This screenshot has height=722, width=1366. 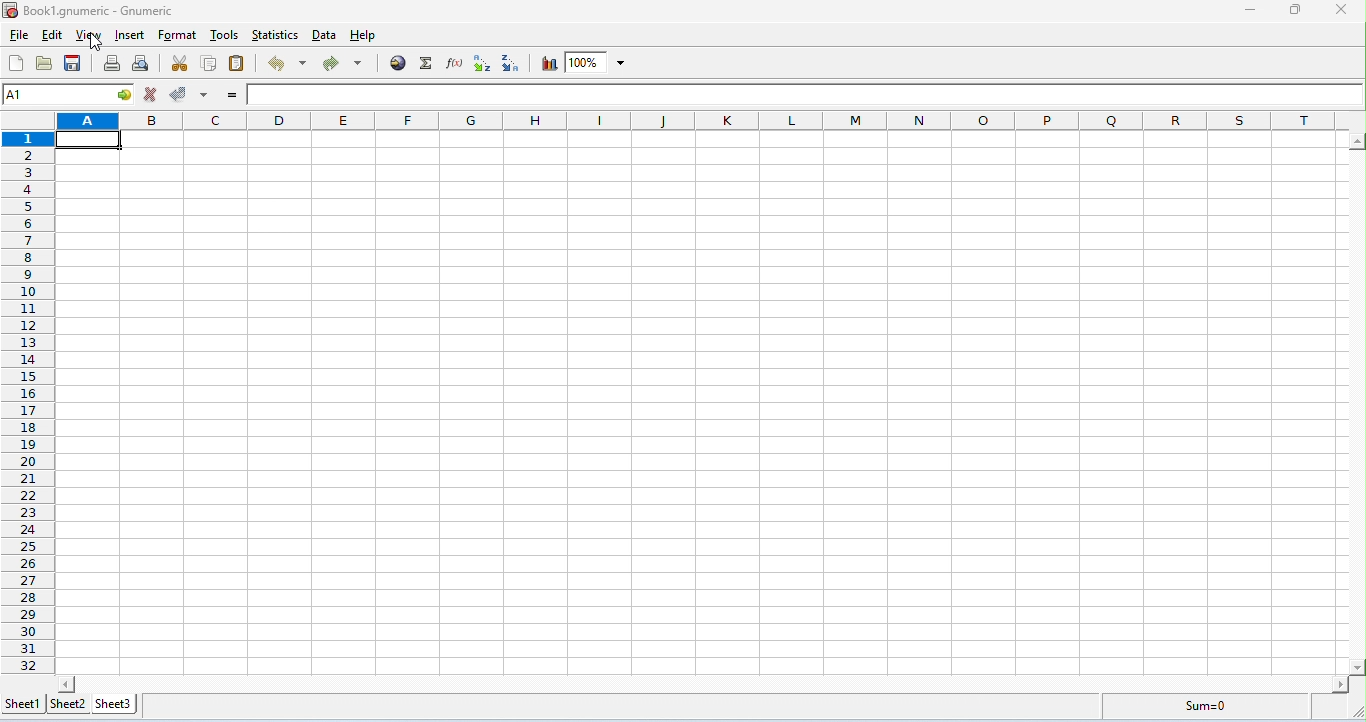 What do you see at coordinates (151, 94) in the screenshot?
I see `reject` at bounding box center [151, 94].